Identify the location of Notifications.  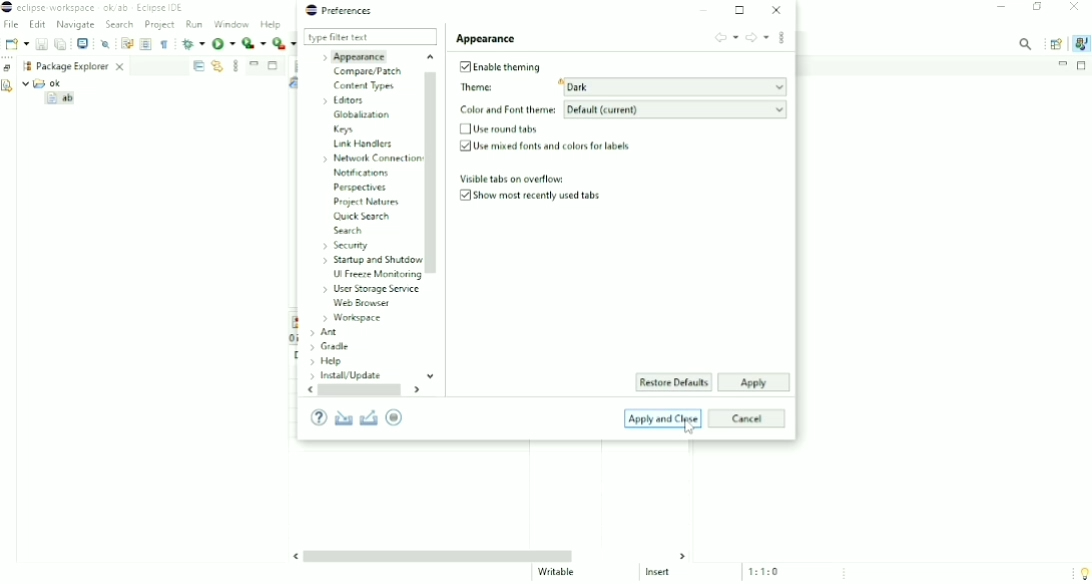
(363, 173).